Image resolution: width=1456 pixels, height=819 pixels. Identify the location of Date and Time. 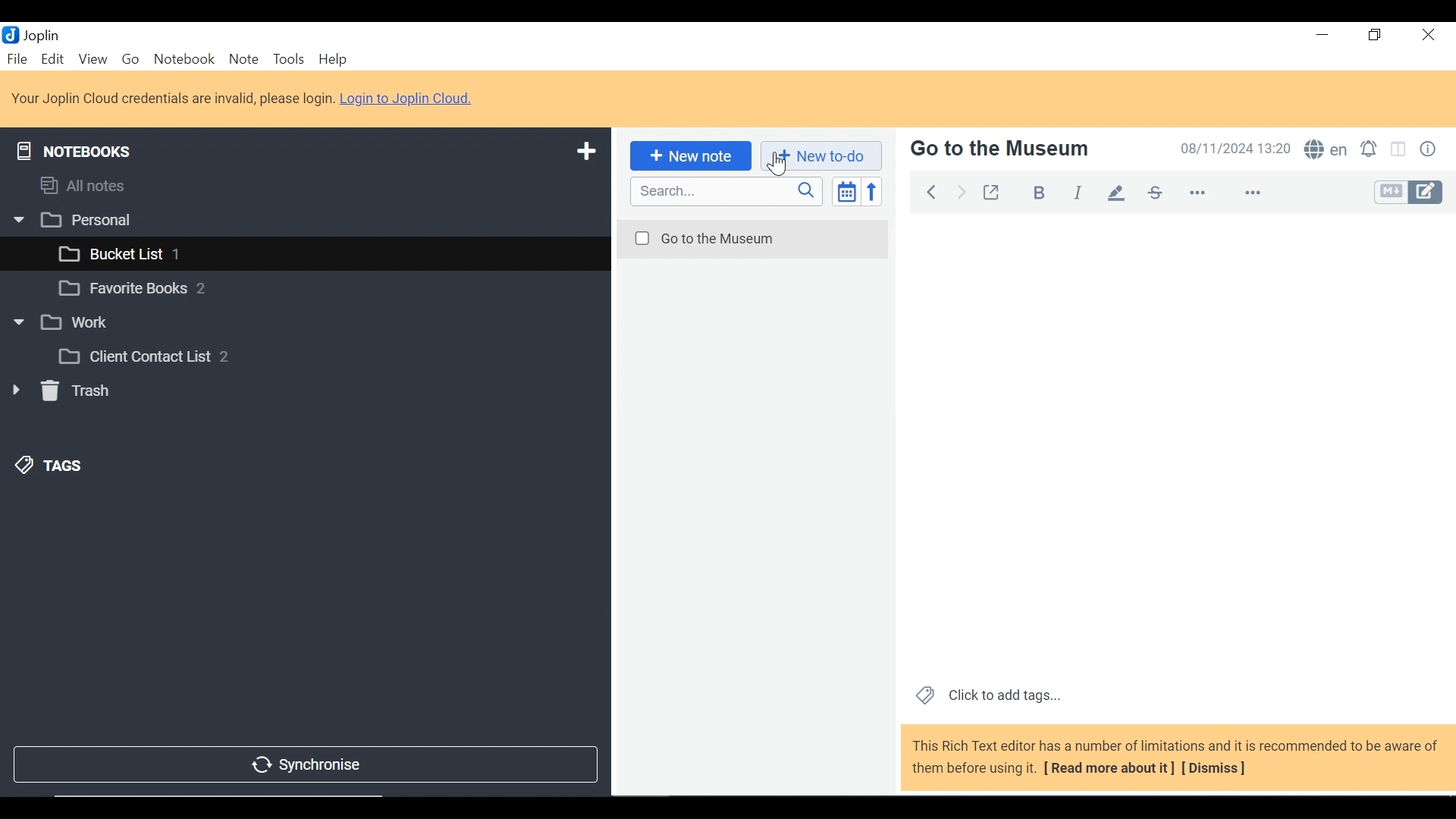
(1237, 149).